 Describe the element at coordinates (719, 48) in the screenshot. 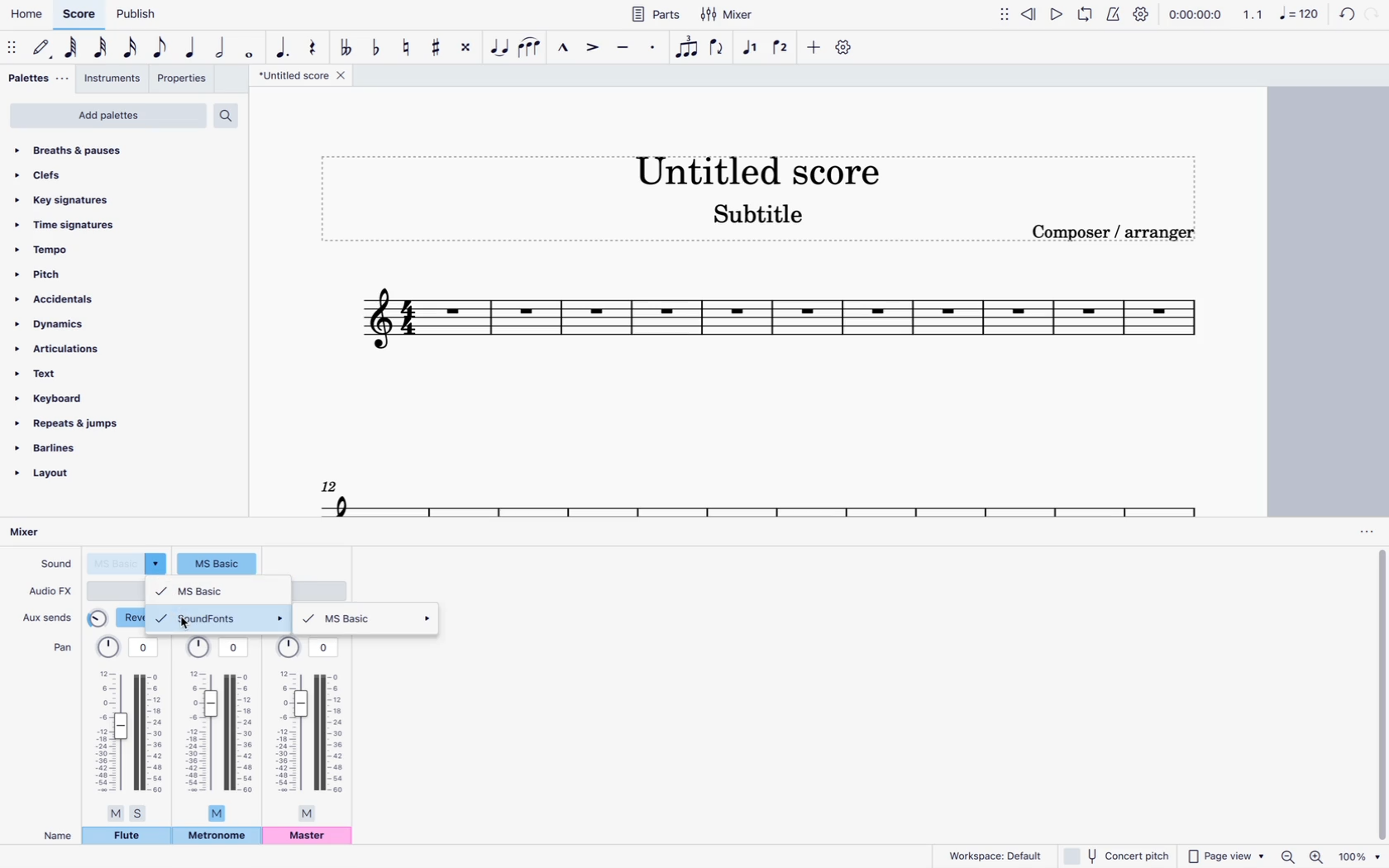

I see `flip direction` at that location.